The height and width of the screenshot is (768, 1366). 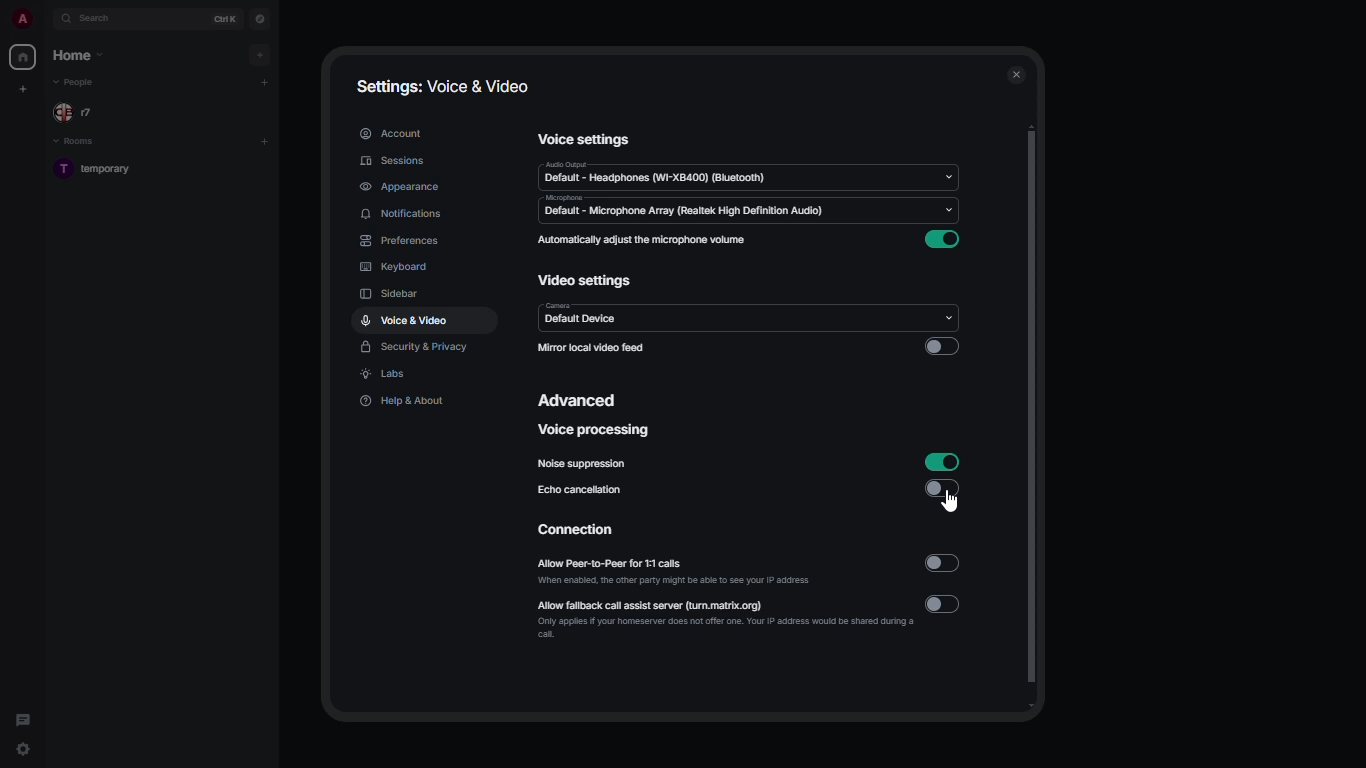 I want to click on threads, so click(x=24, y=718).